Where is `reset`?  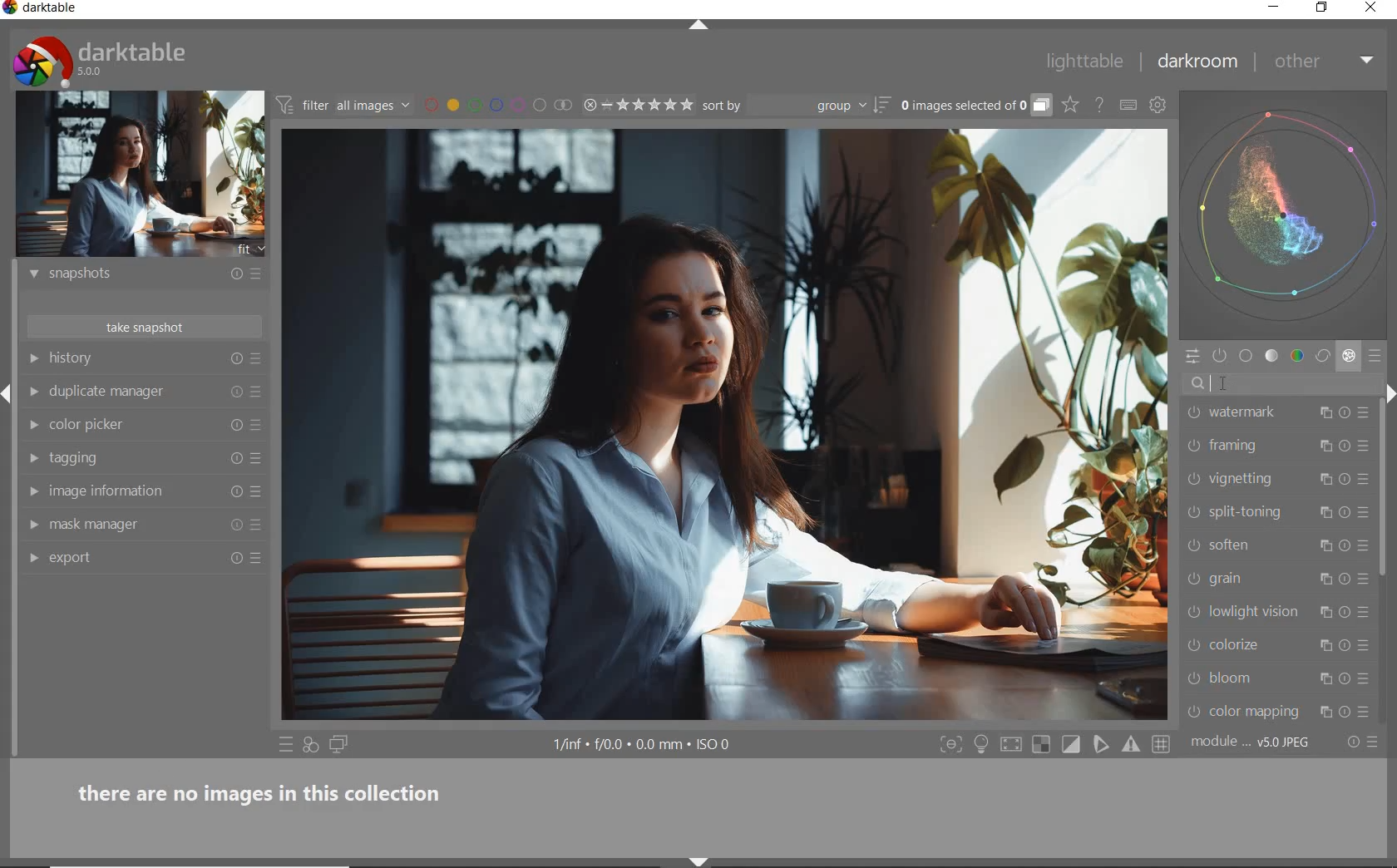 reset is located at coordinates (234, 560).